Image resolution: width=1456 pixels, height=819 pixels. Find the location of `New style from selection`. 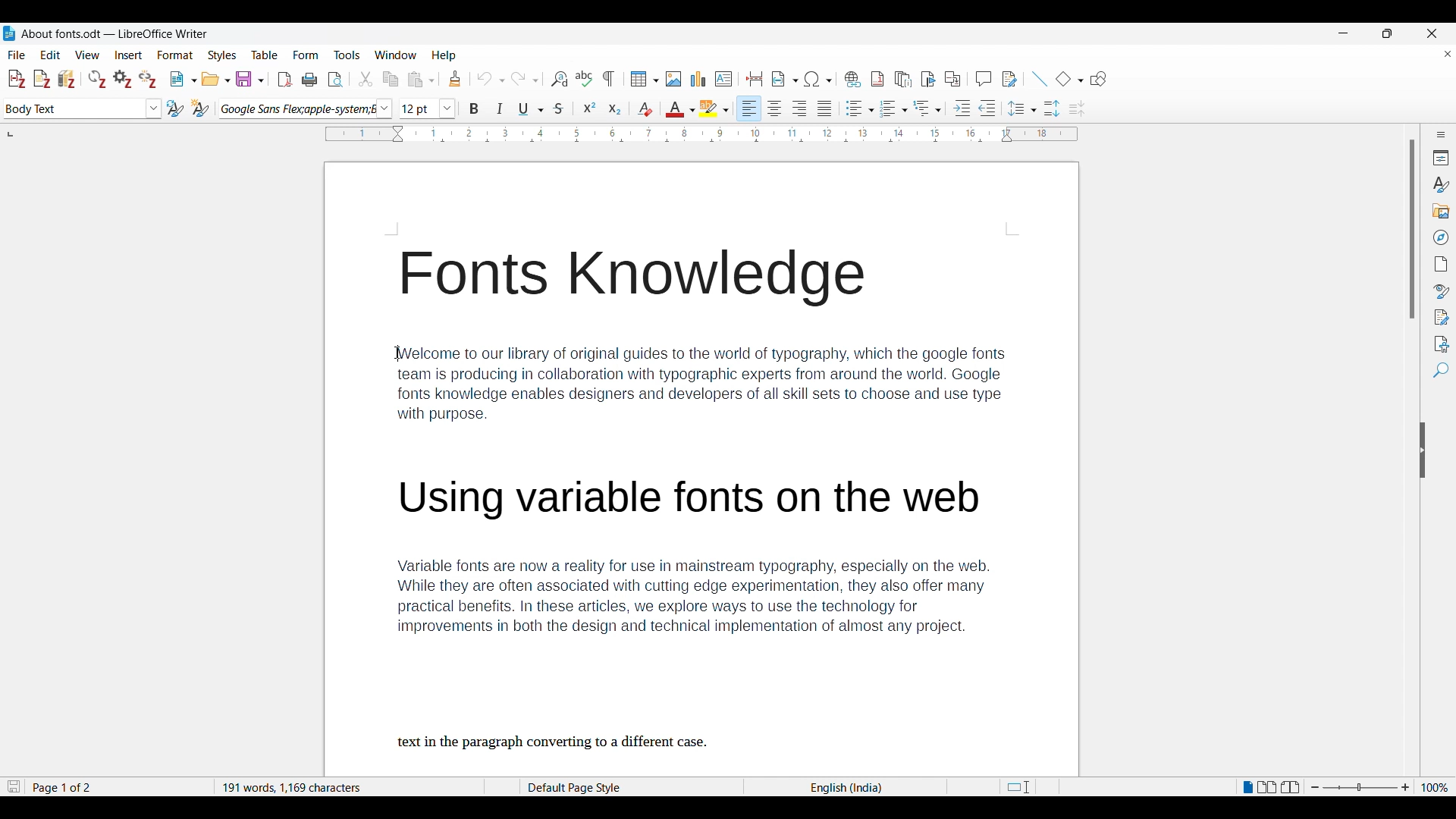

New style from selection is located at coordinates (201, 108).